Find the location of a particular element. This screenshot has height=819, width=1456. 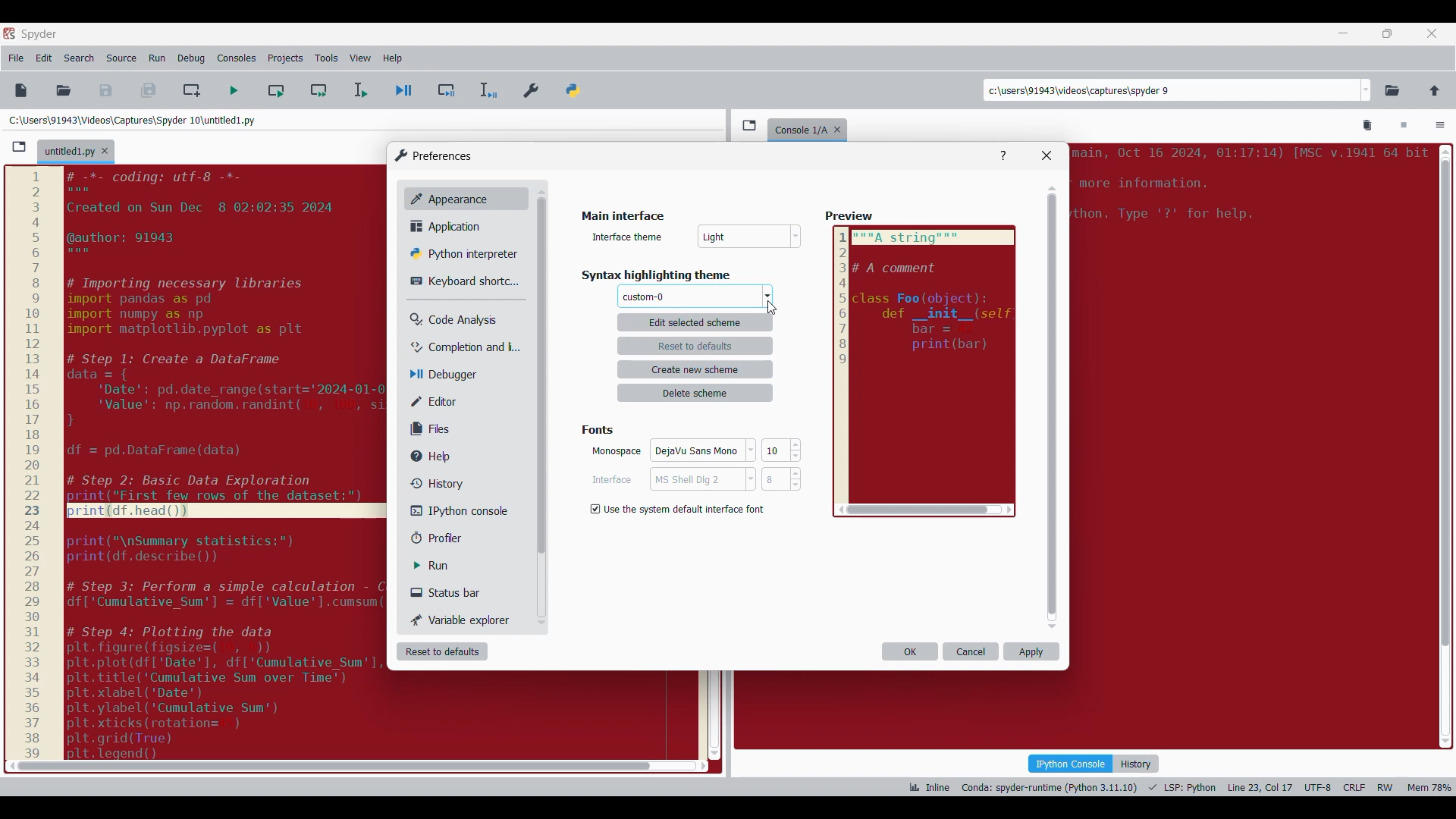

History is located at coordinates (1136, 764).